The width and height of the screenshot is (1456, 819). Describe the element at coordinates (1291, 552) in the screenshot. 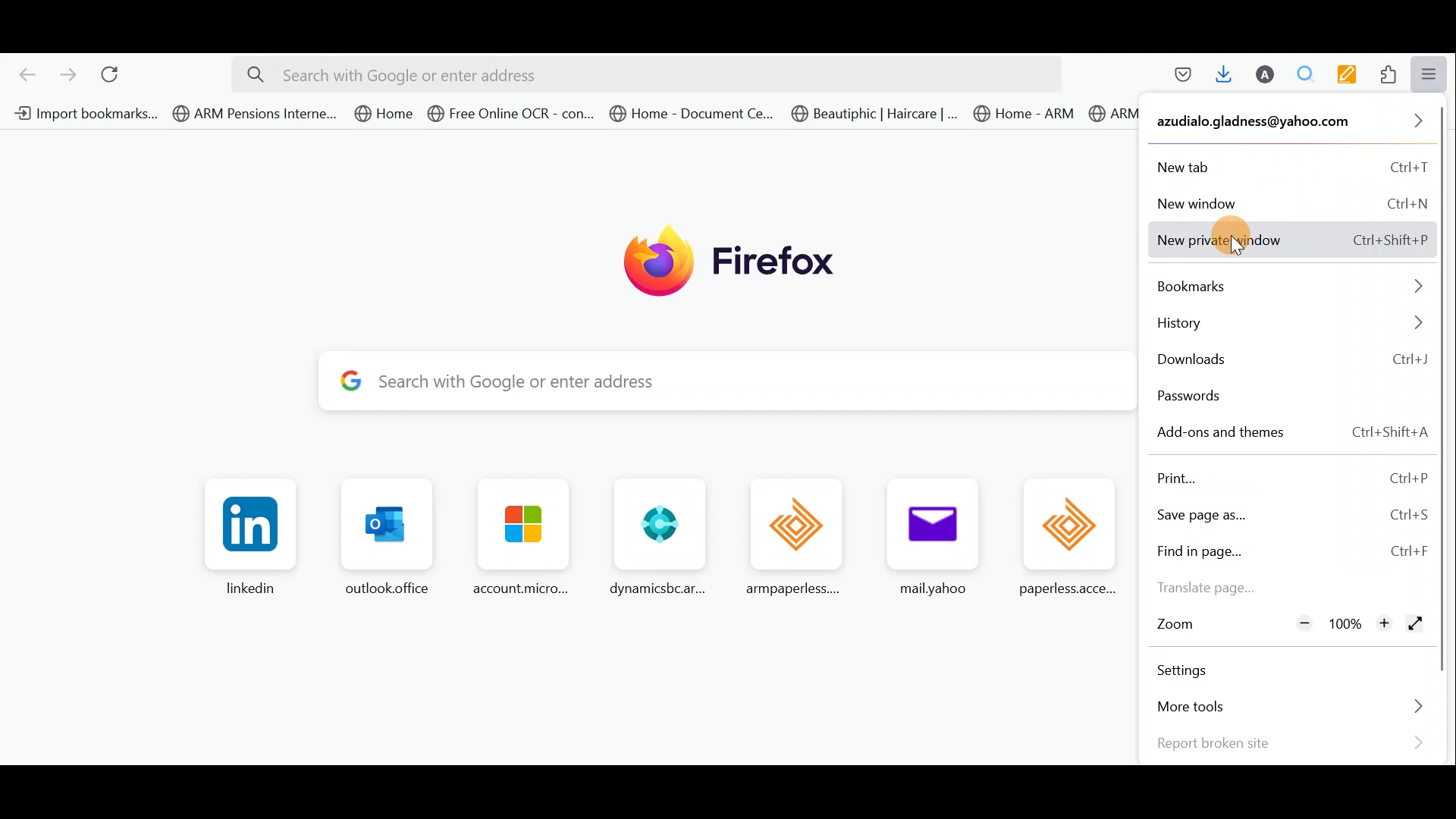

I see `Find in page` at that location.